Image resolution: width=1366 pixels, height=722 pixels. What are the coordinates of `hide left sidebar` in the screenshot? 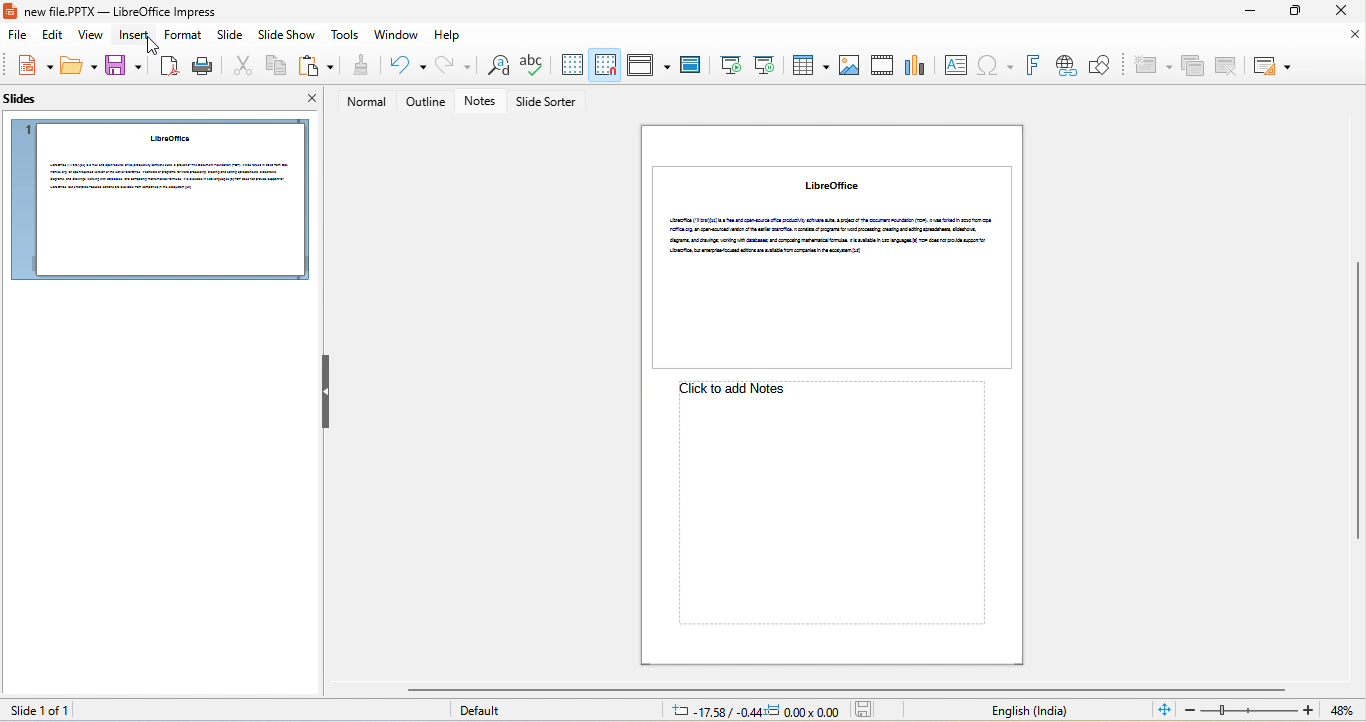 It's located at (326, 391).